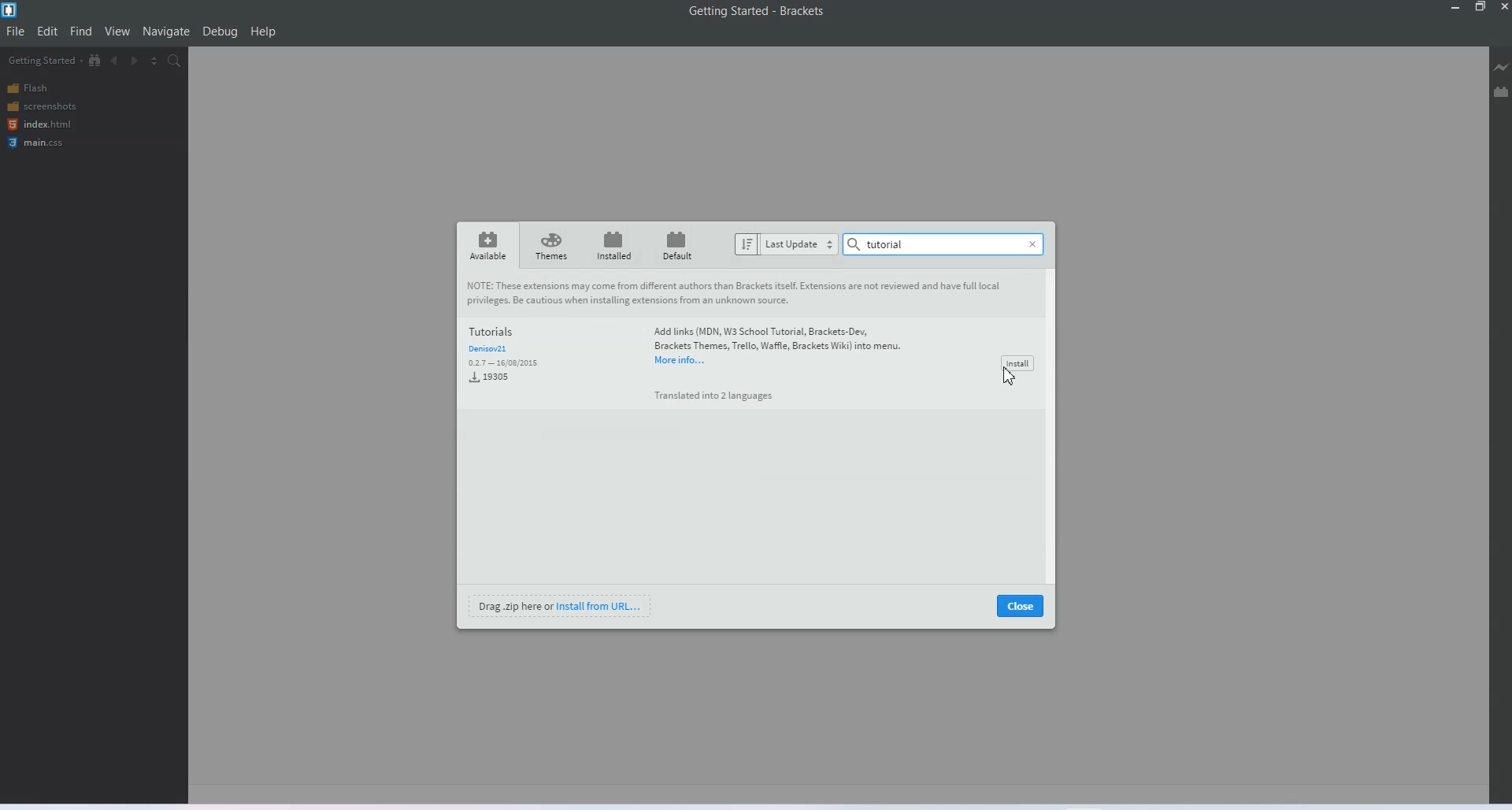  Describe the element at coordinates (1021, 605) in the screenshot. I see `Close` at that location.